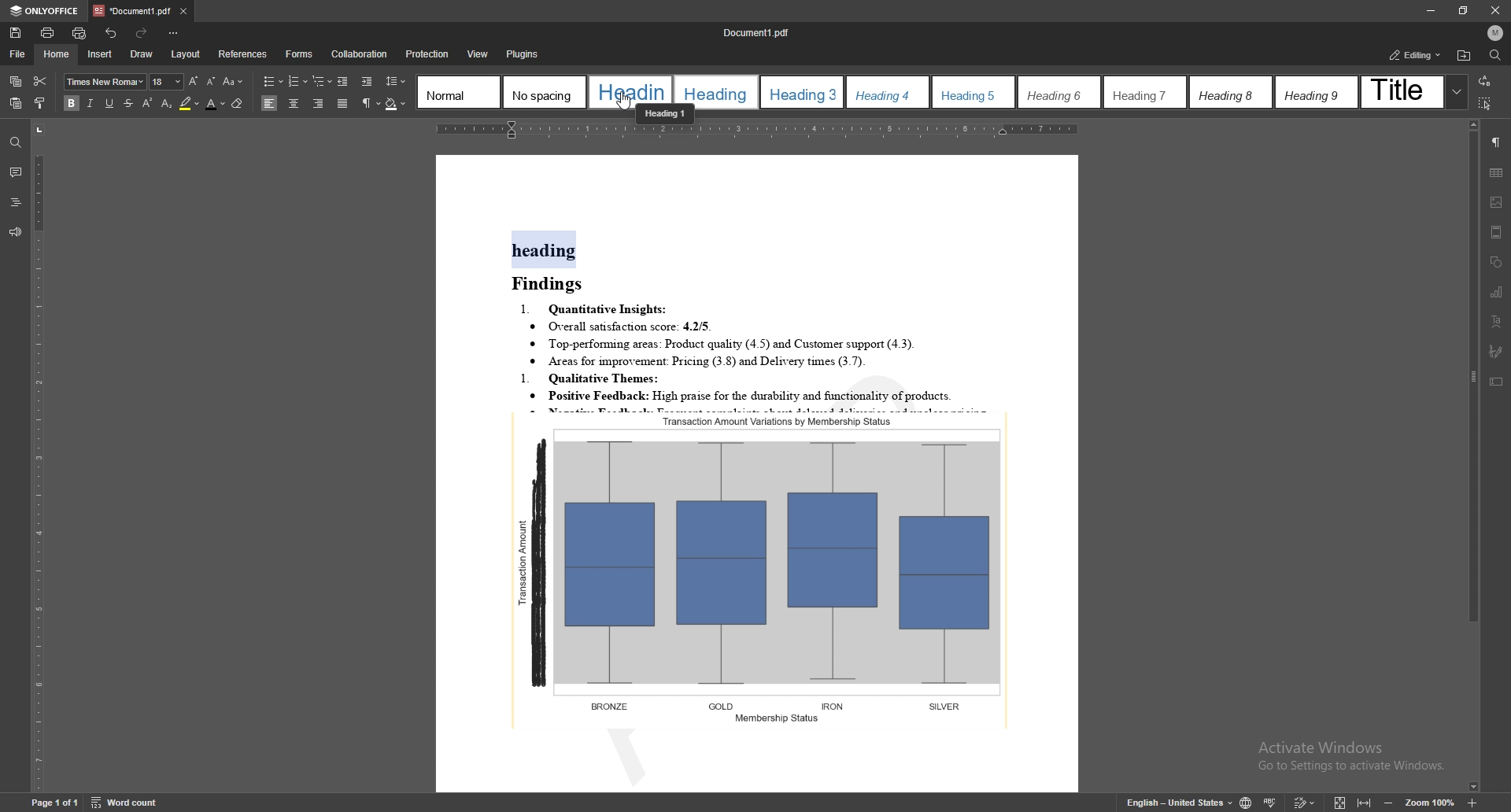 The height and width of the screenshot is (812, 1511). What do you see at coordinates (762, 32) in the screenshot?
I see `Document 1.pdf` at bounding box center [762, 32].